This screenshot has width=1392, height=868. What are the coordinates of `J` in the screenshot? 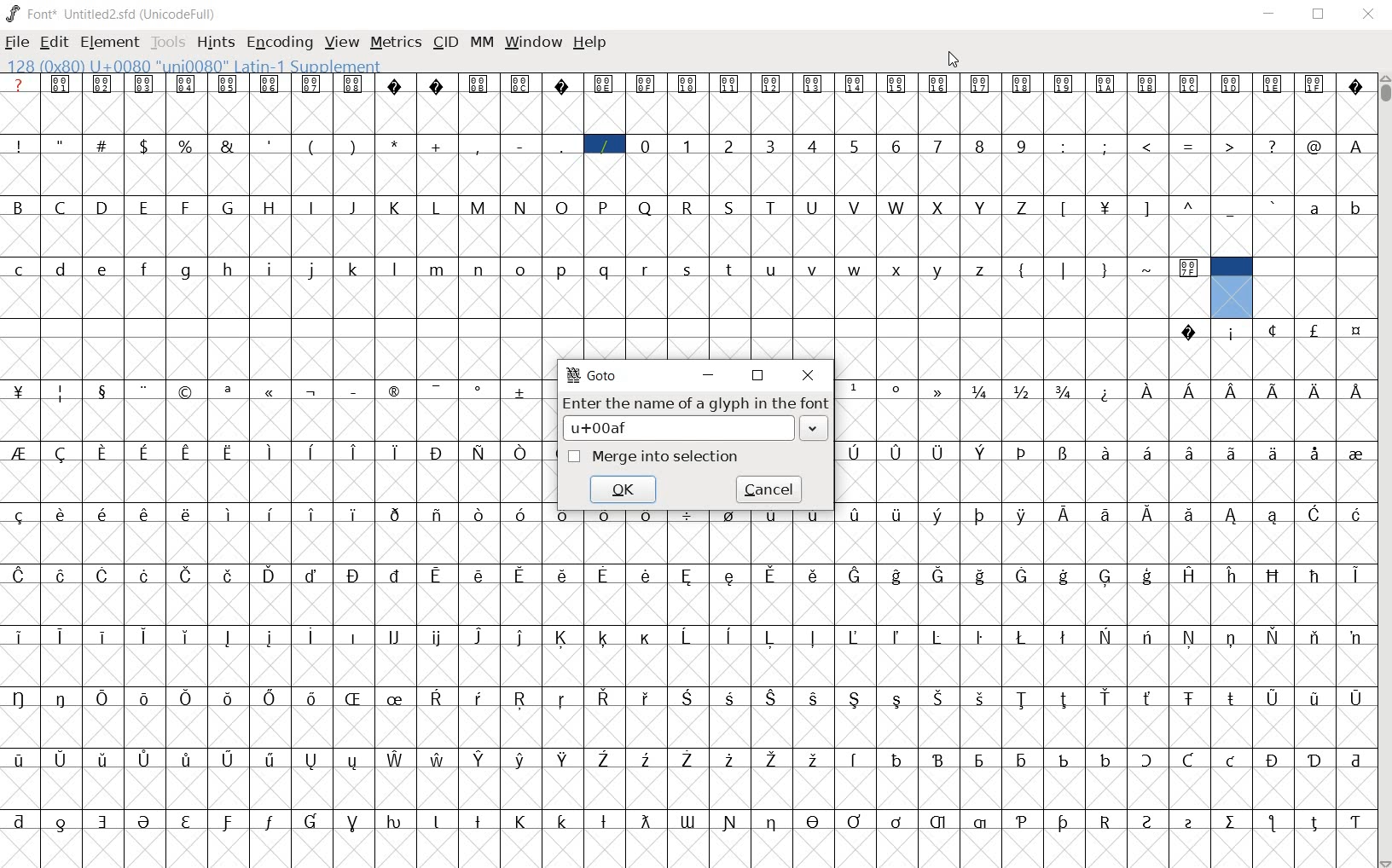 It's located at (354, 207).